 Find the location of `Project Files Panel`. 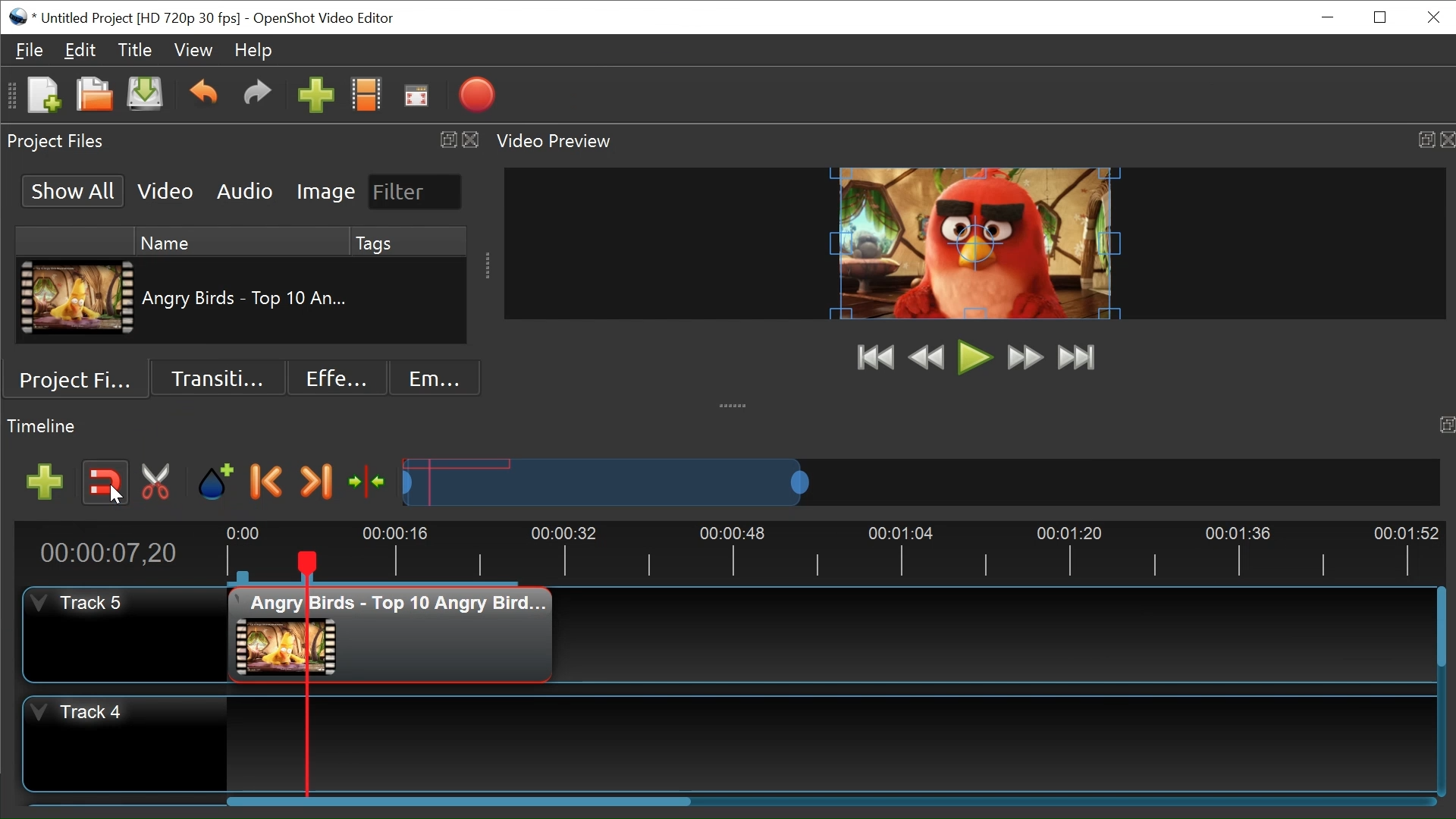

Project Files Panel is located at coordinates (242, 140).